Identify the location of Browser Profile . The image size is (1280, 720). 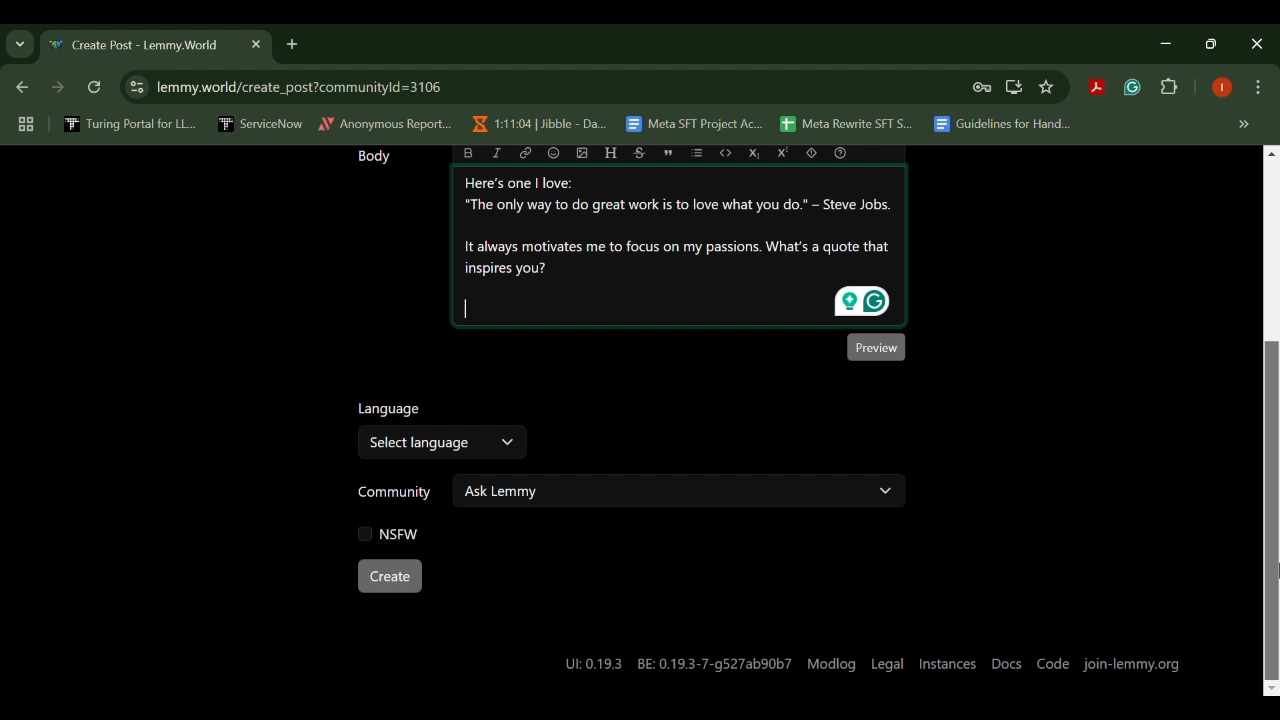
(1222, 89).